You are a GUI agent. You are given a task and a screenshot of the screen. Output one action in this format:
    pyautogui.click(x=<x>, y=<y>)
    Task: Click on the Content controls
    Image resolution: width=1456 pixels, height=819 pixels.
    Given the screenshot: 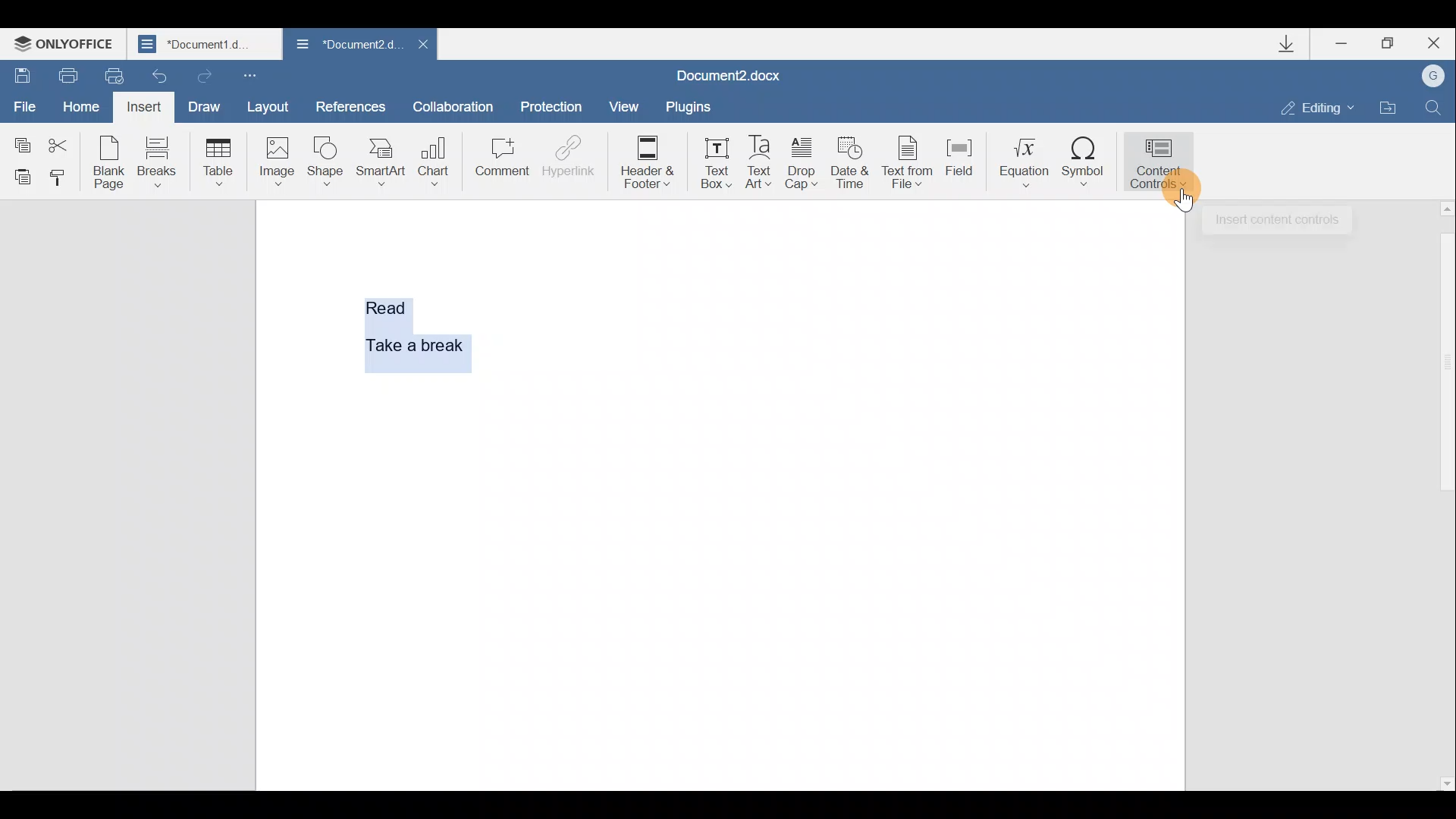 What is the action you would take?
    pyautogui.click(x=1162, y=167)
    